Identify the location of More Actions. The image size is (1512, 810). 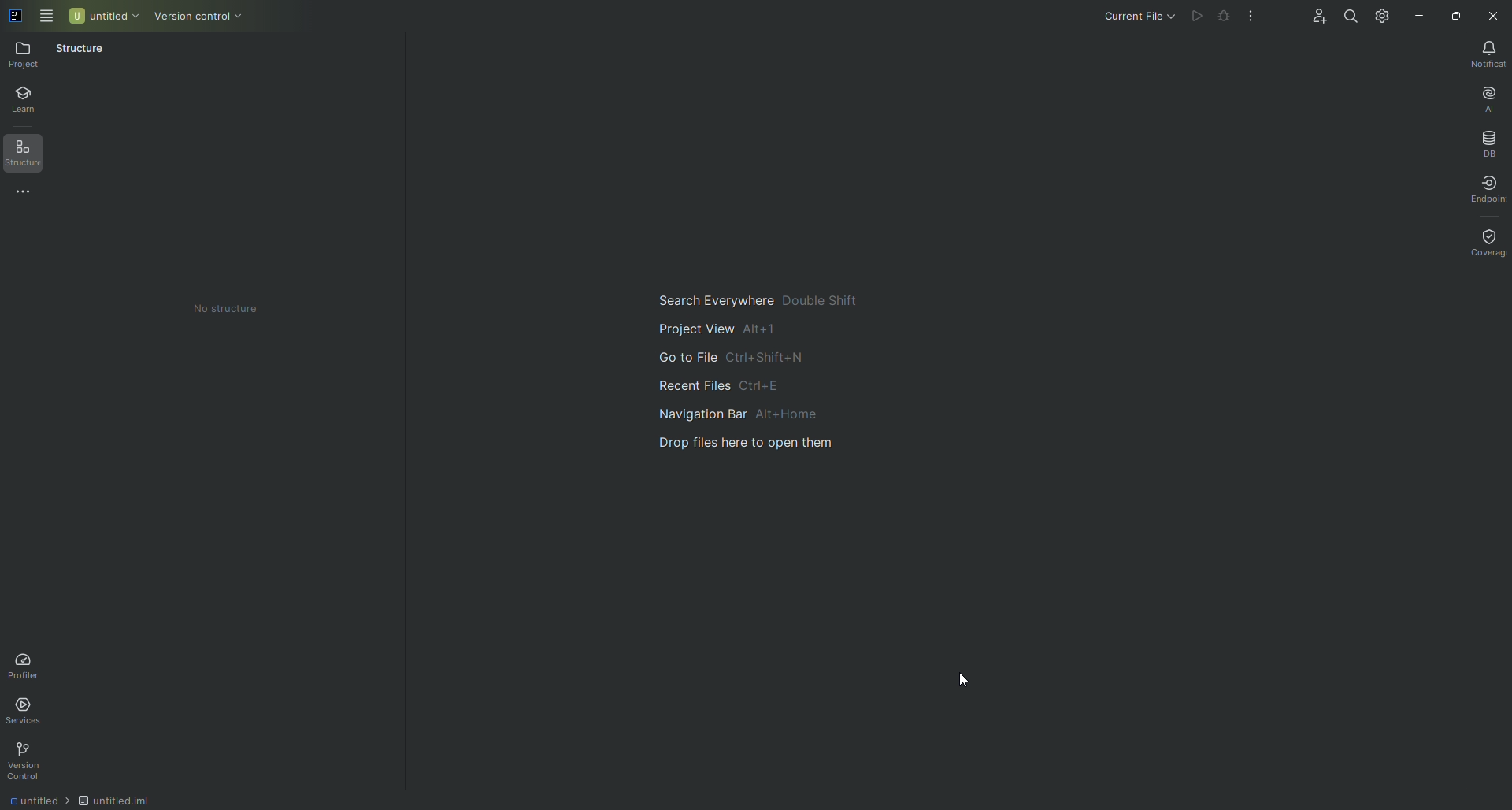
(1252, 17).